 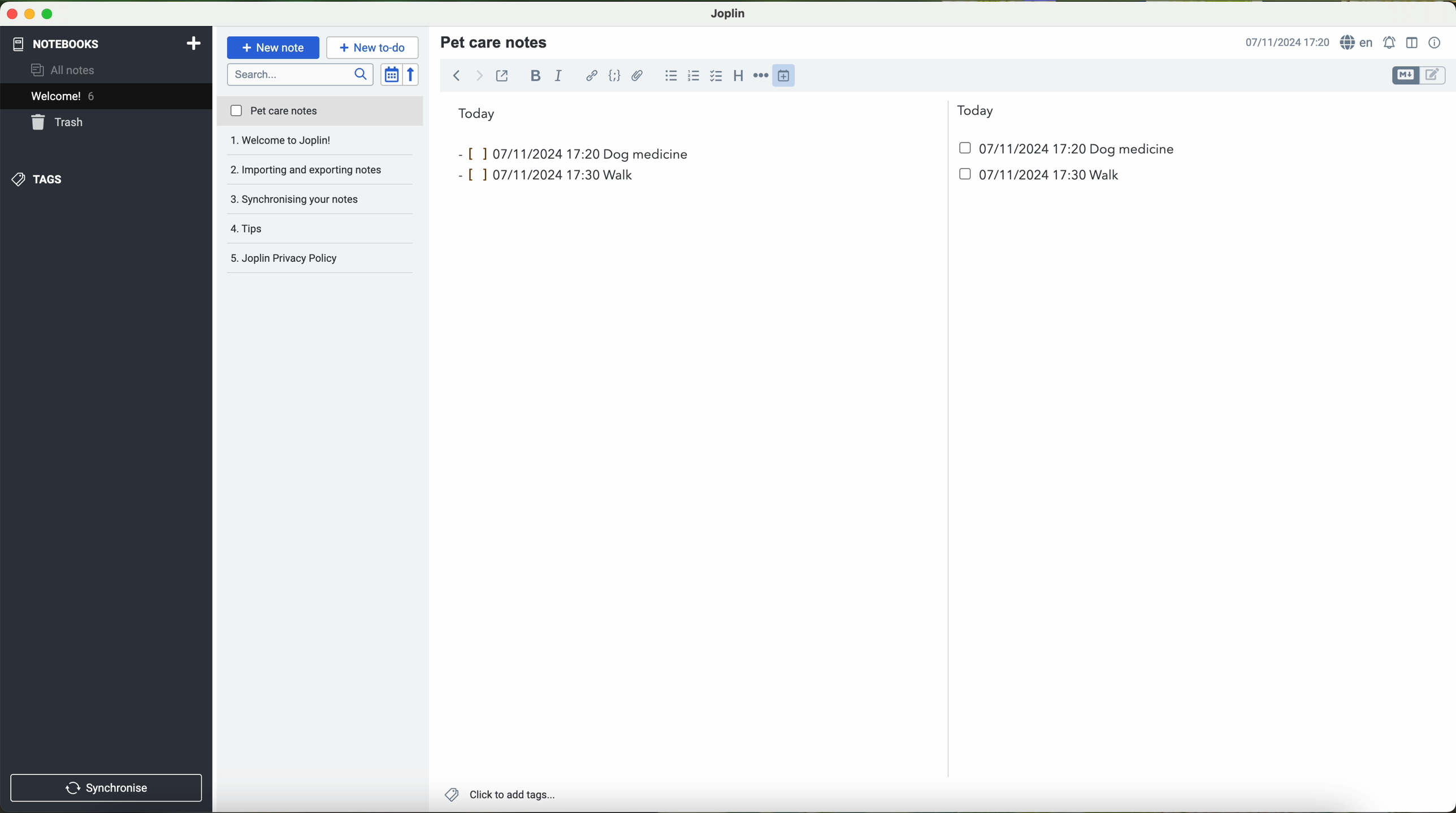 I want to click on tips, so click(x=320, y=199).